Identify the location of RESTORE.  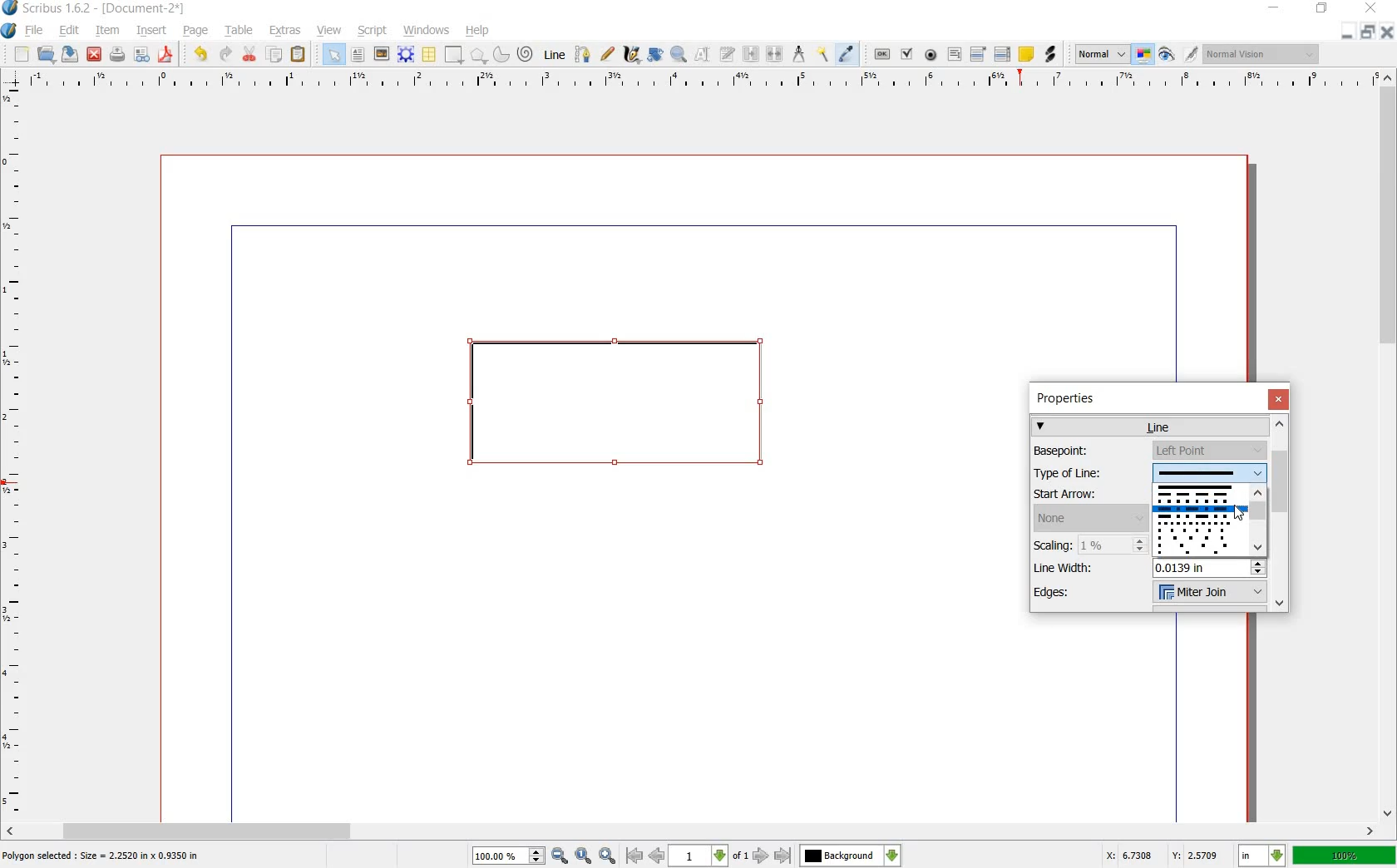
(1370, 32).